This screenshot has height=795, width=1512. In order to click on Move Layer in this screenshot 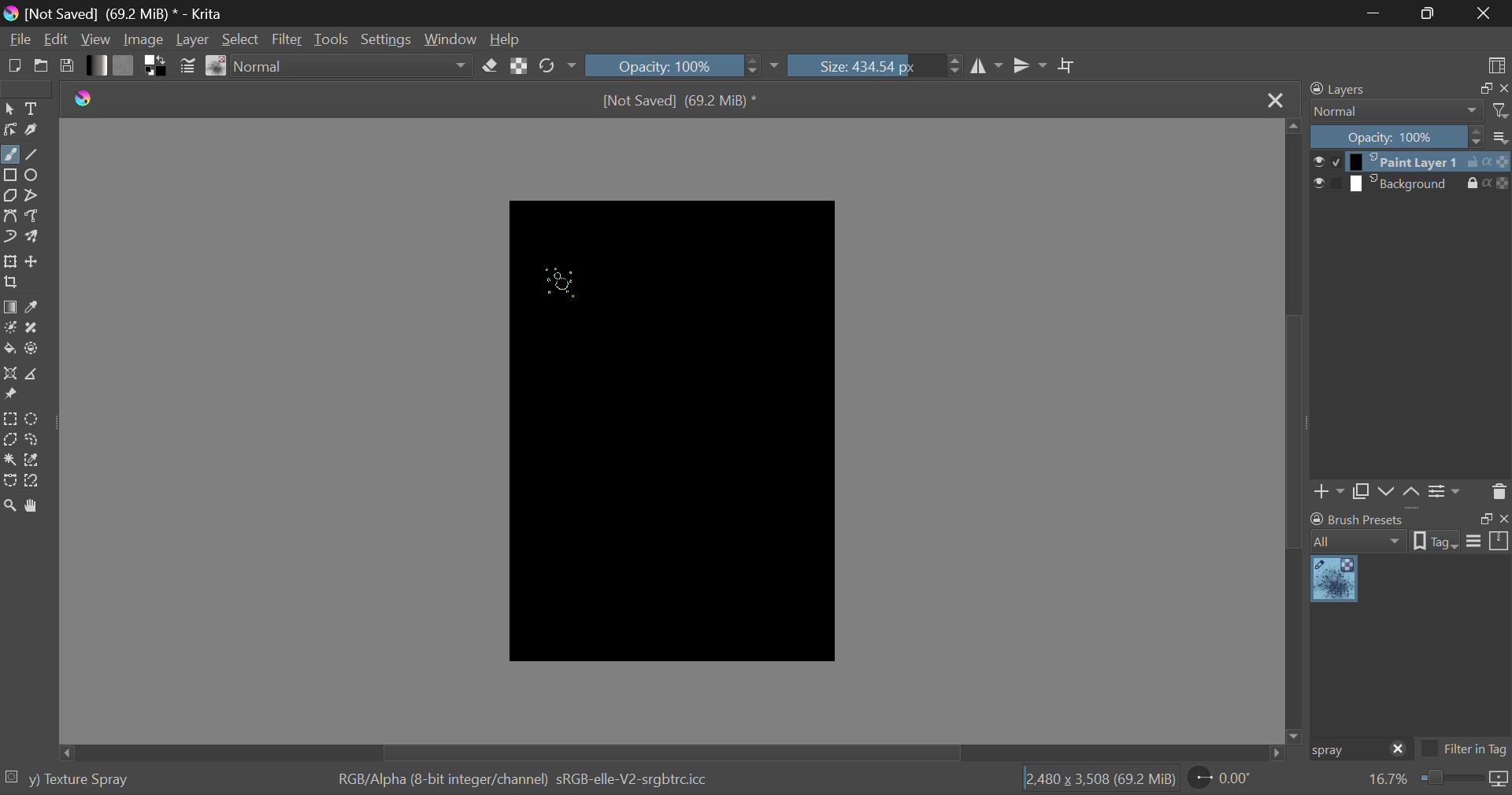, I will do `click(32, 261)`.